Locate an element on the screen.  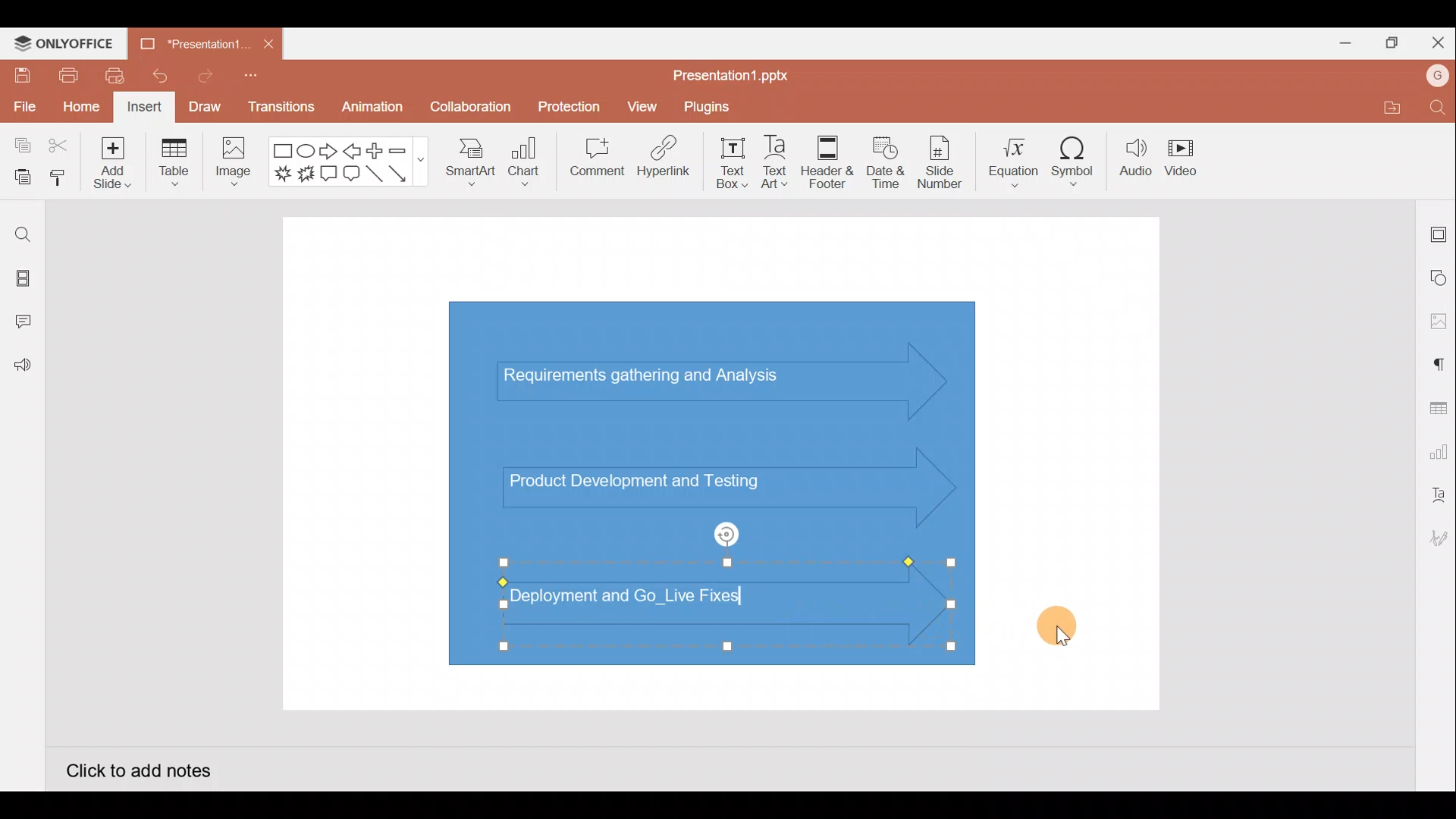
Rectangle is located at coordinates (284, 152).